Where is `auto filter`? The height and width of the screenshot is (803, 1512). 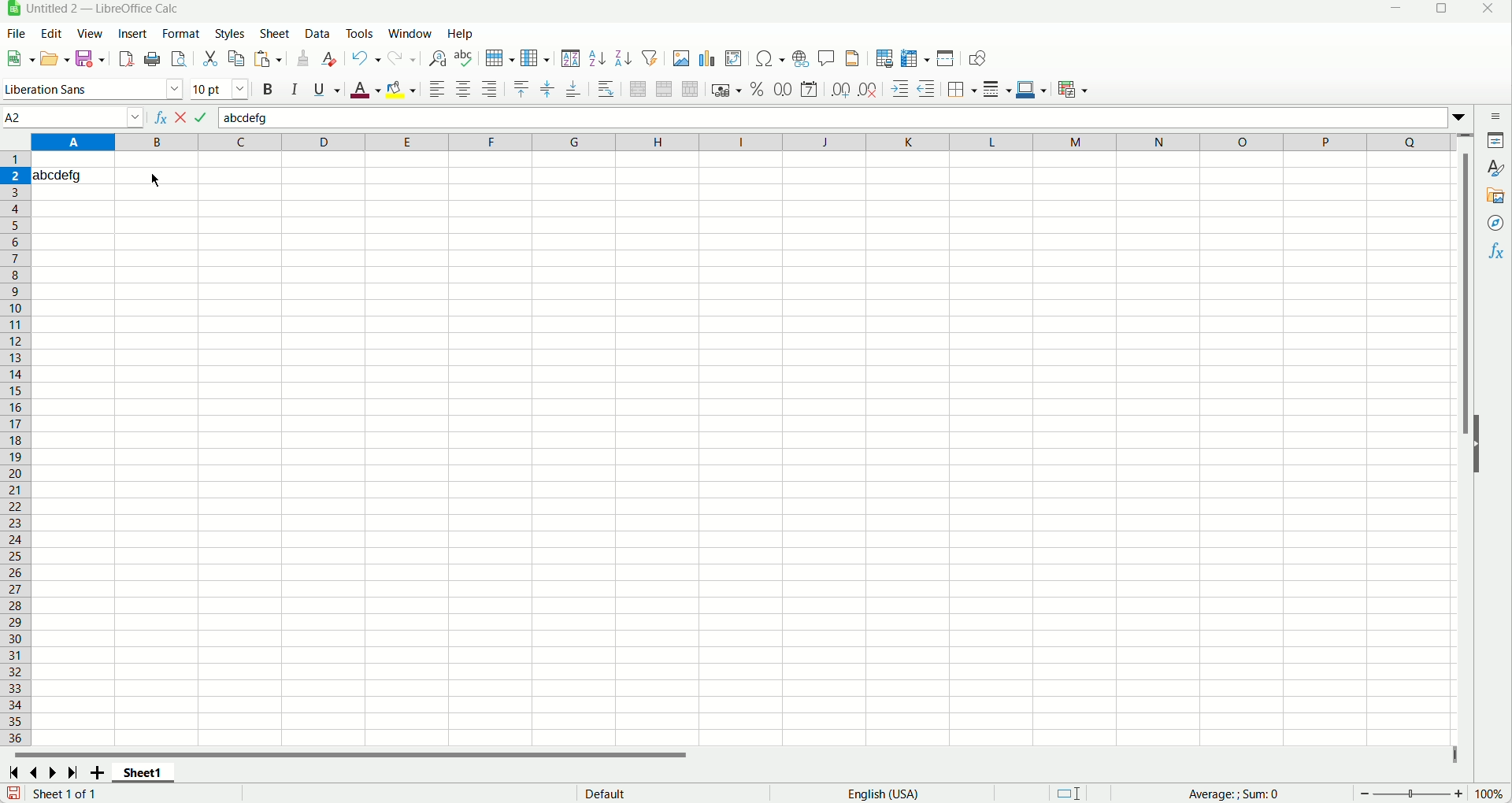 auto filter is located at coordinates (650, 58).